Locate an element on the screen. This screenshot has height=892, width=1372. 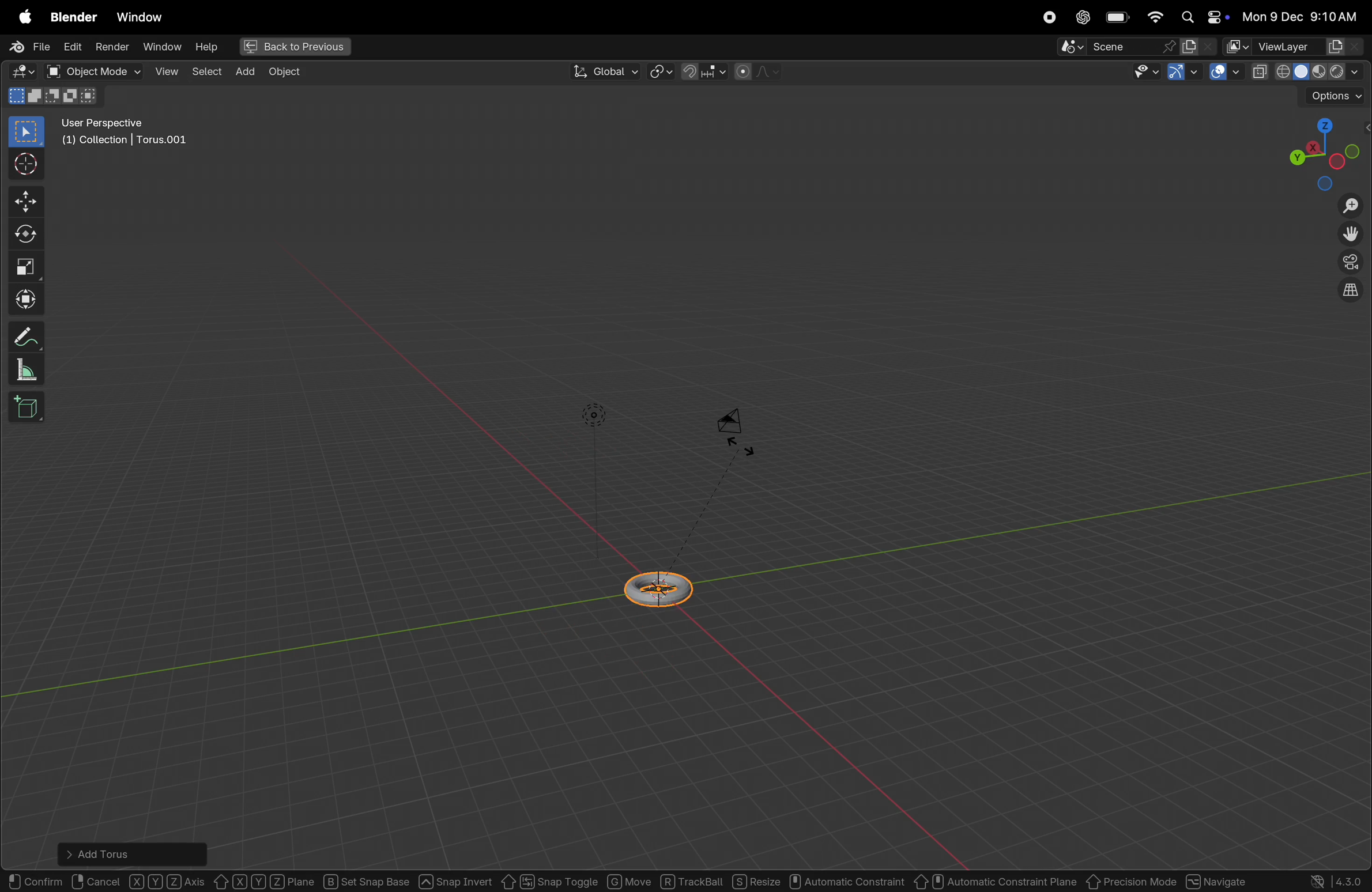
wifi is located at coordinates (1155, 17).